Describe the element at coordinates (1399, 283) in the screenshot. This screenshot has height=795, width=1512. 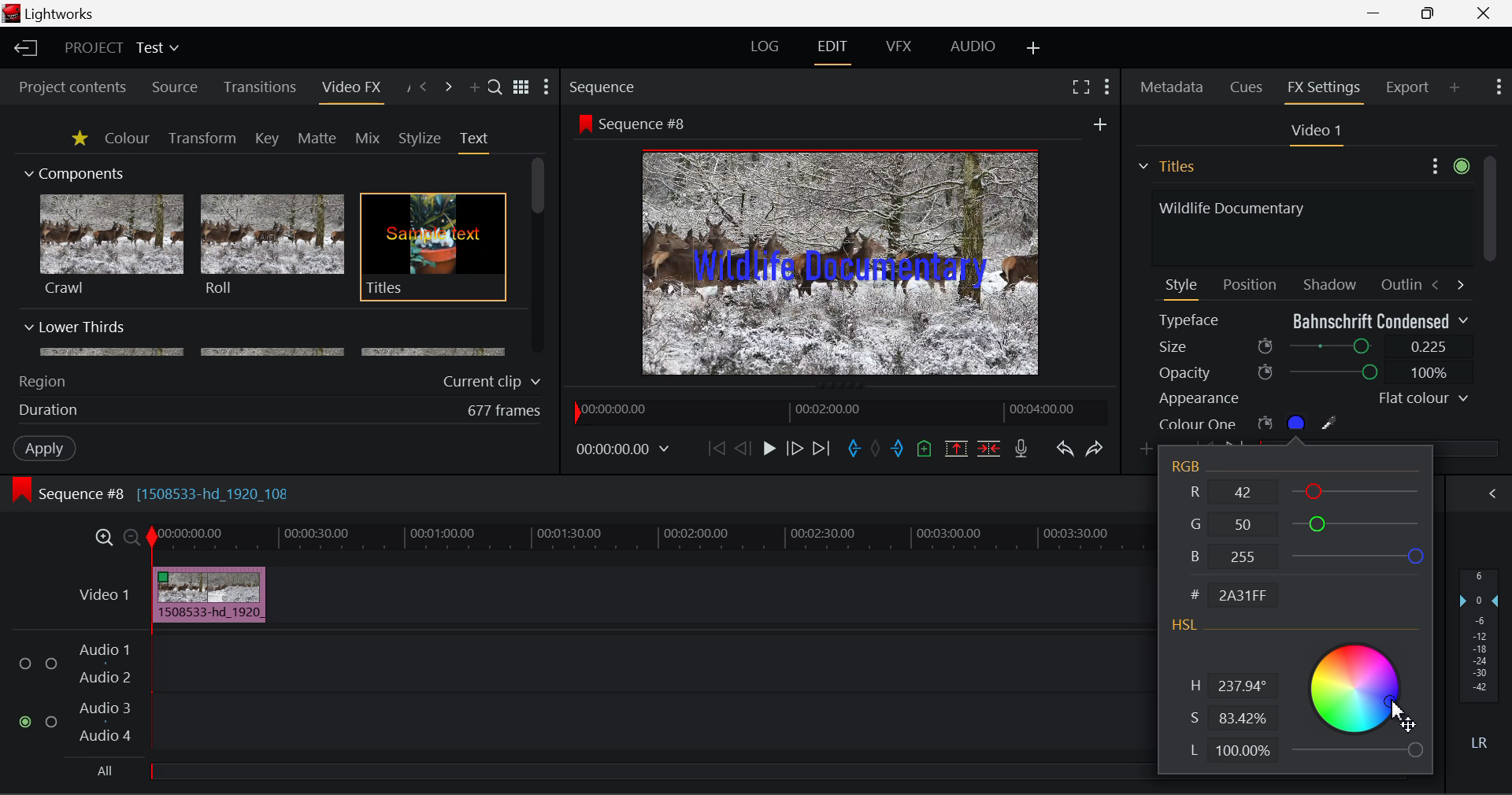
I see `Outline` at that location.